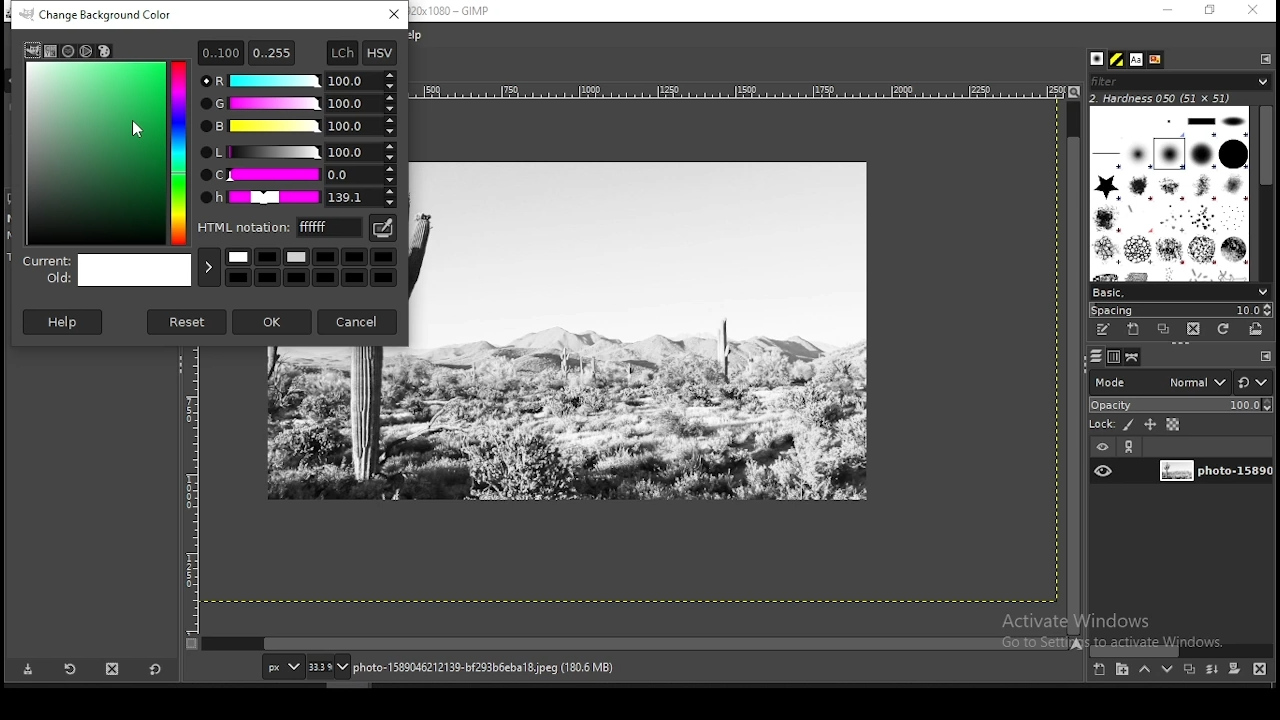  What do you see at coordinates (154, 669) in the screenshot?
I see `reset to defaults` at bounding box center [154, 669].